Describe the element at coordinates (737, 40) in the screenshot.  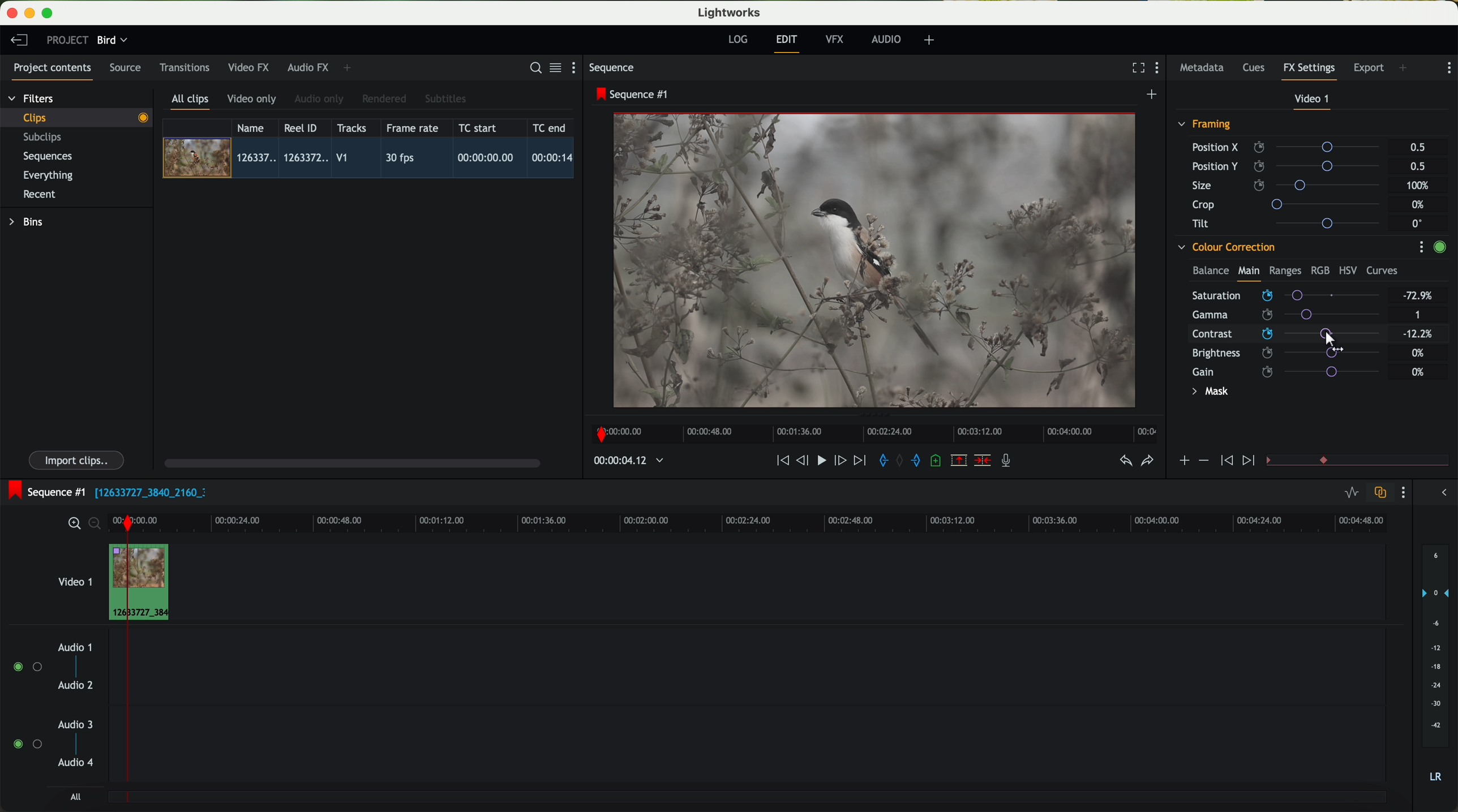
I see `log` at that location.